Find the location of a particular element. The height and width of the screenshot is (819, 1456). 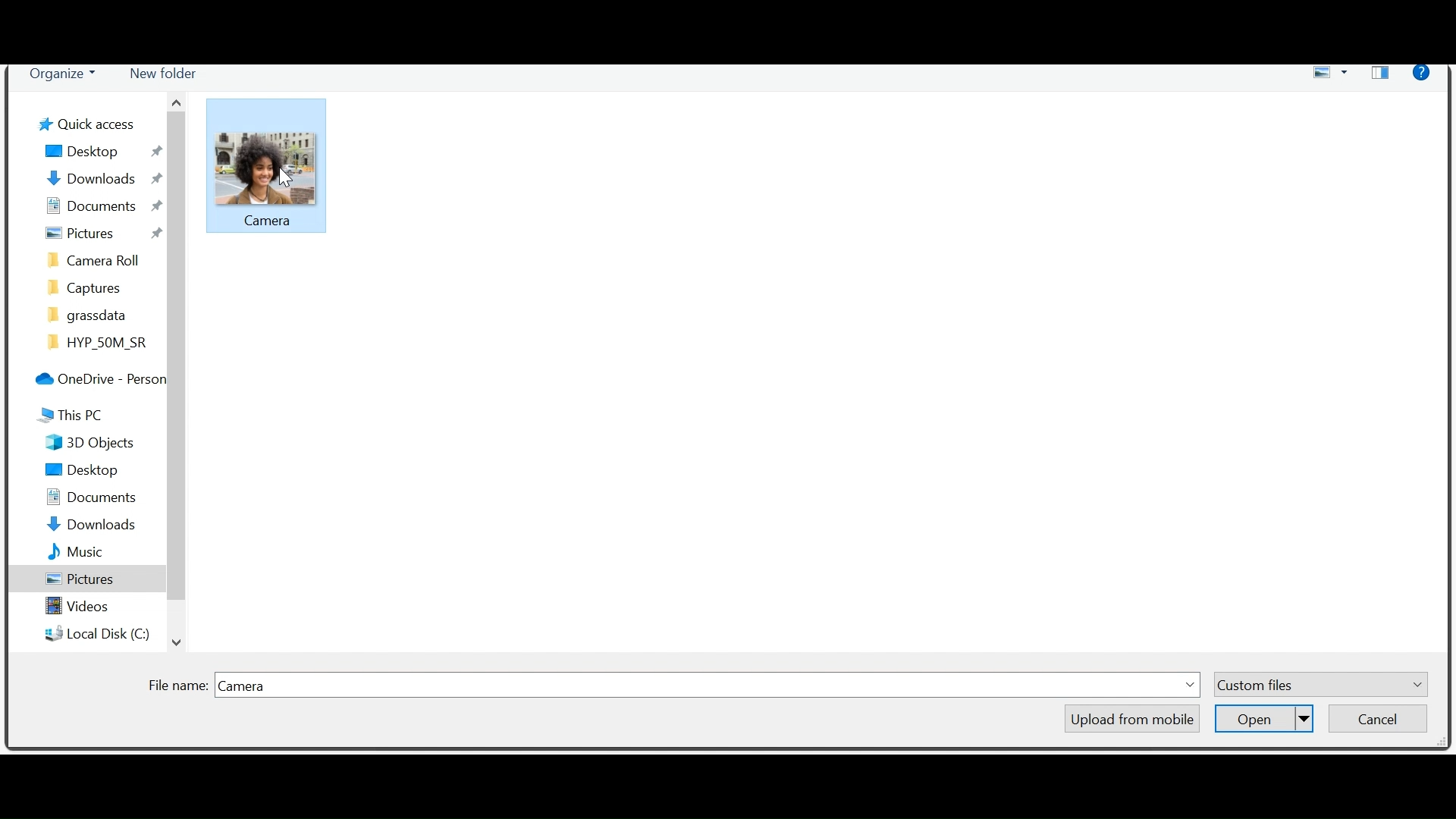

Desktop is located at coordinates (101, 153).